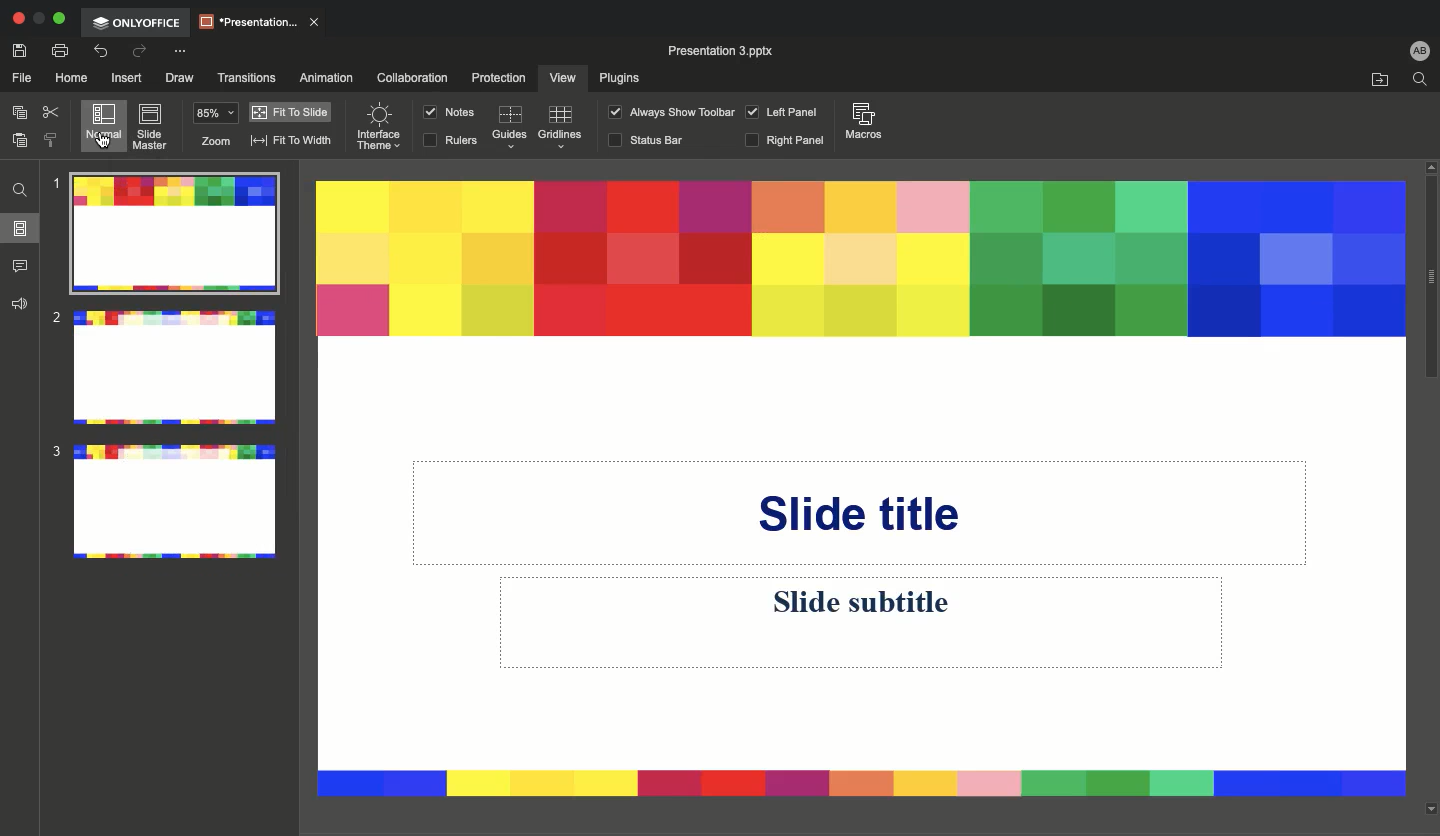 This screenshot has height=836, width=1440. I want to click on Copy, so click(19, 115).